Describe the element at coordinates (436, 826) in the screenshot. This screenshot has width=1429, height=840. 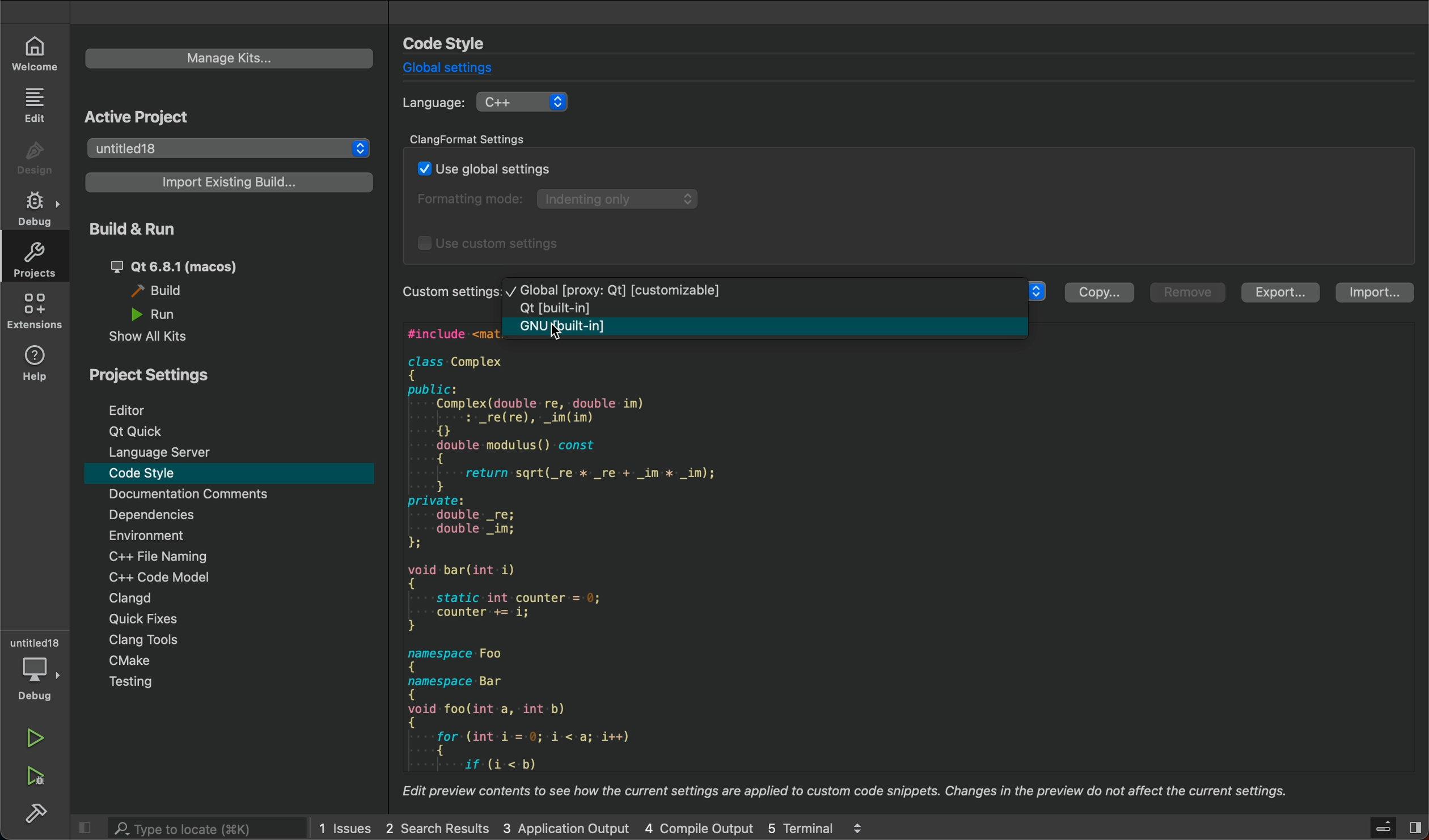
I see `2 Search Results` at that location.